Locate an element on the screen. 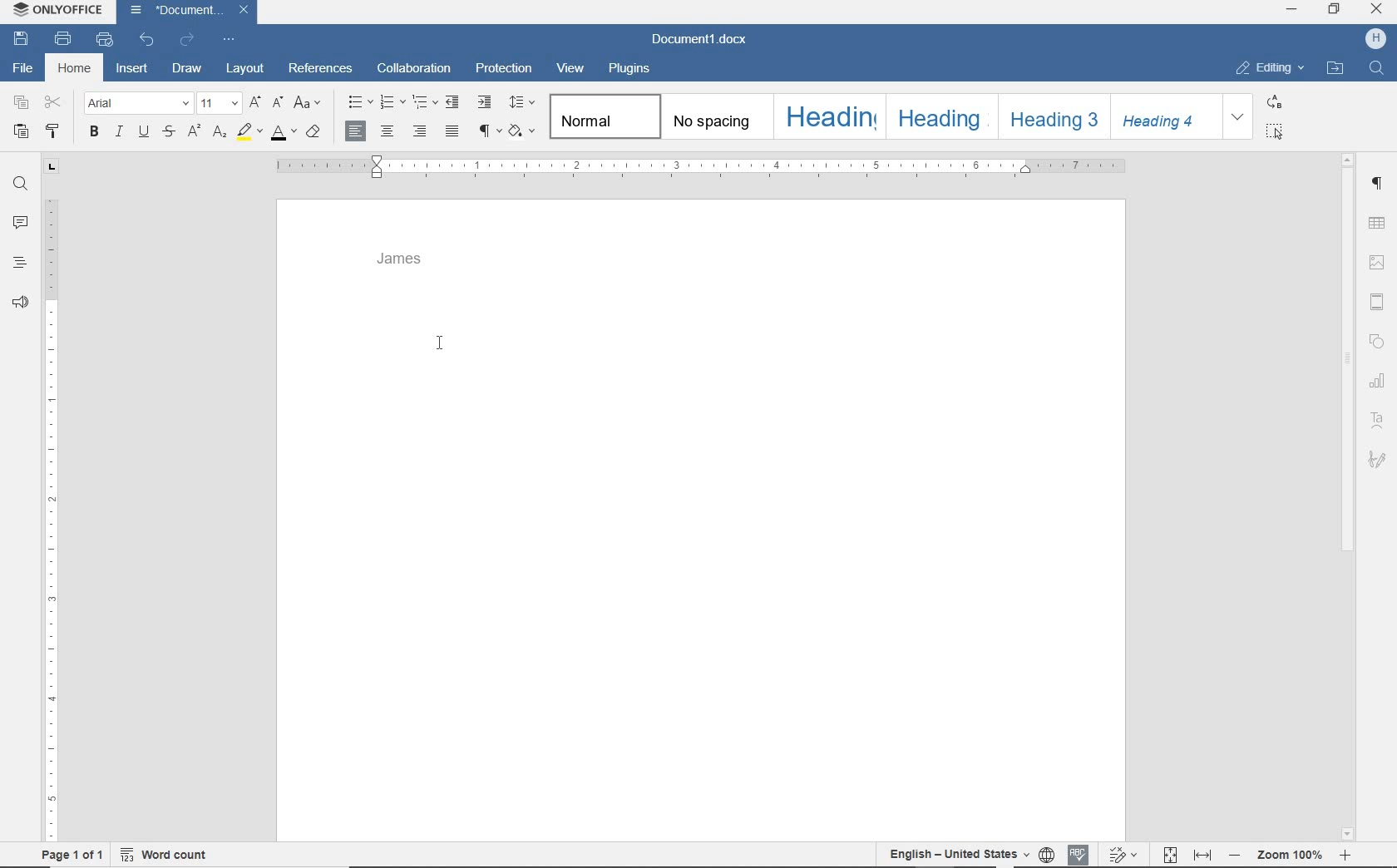  IMAGE is located at coordinates (1378, 262).